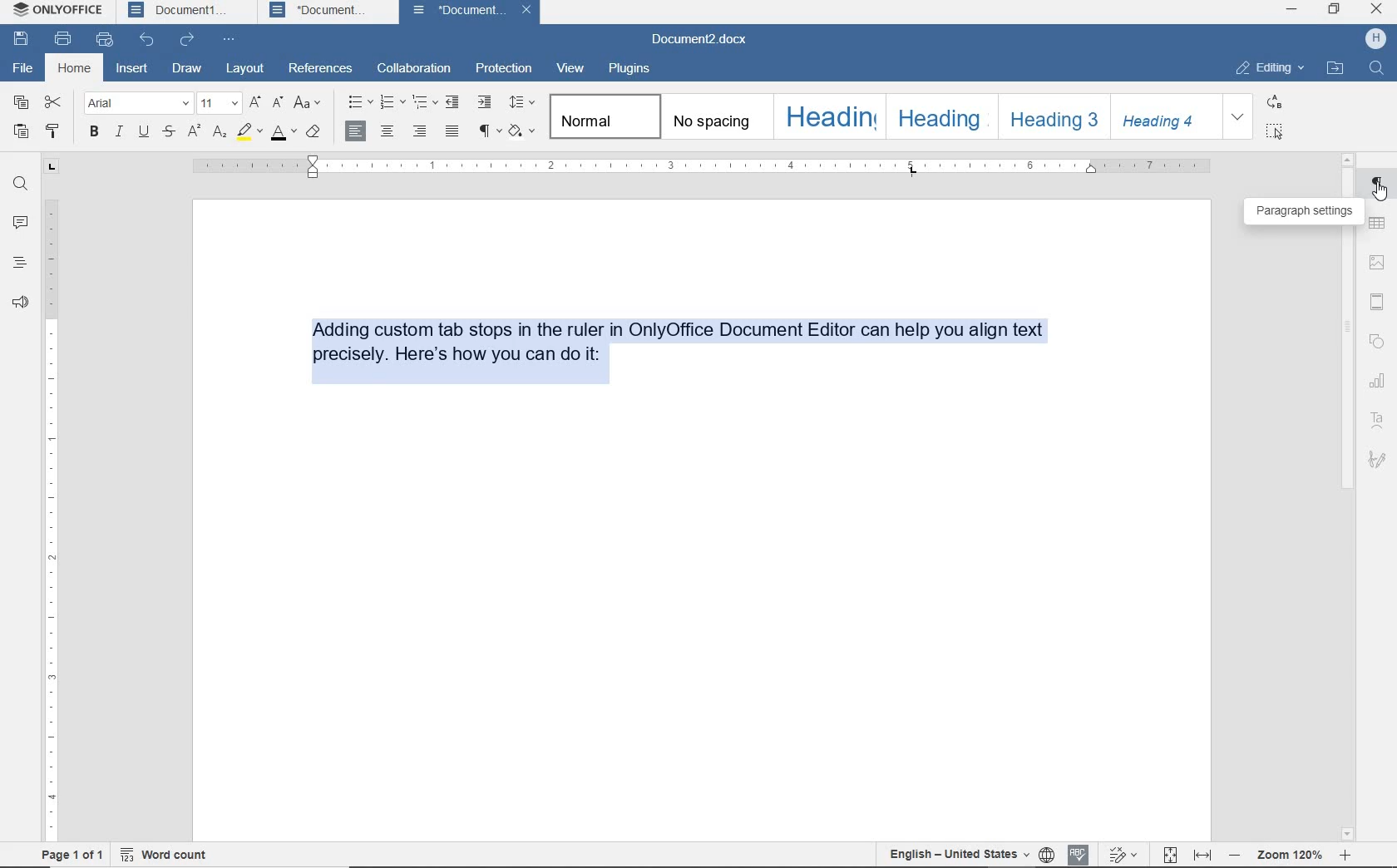 The width and height of the screenshot is (1397, 868). Describe the element at coordinates (166, 856) in the screenshot. I see `word count` at that location.